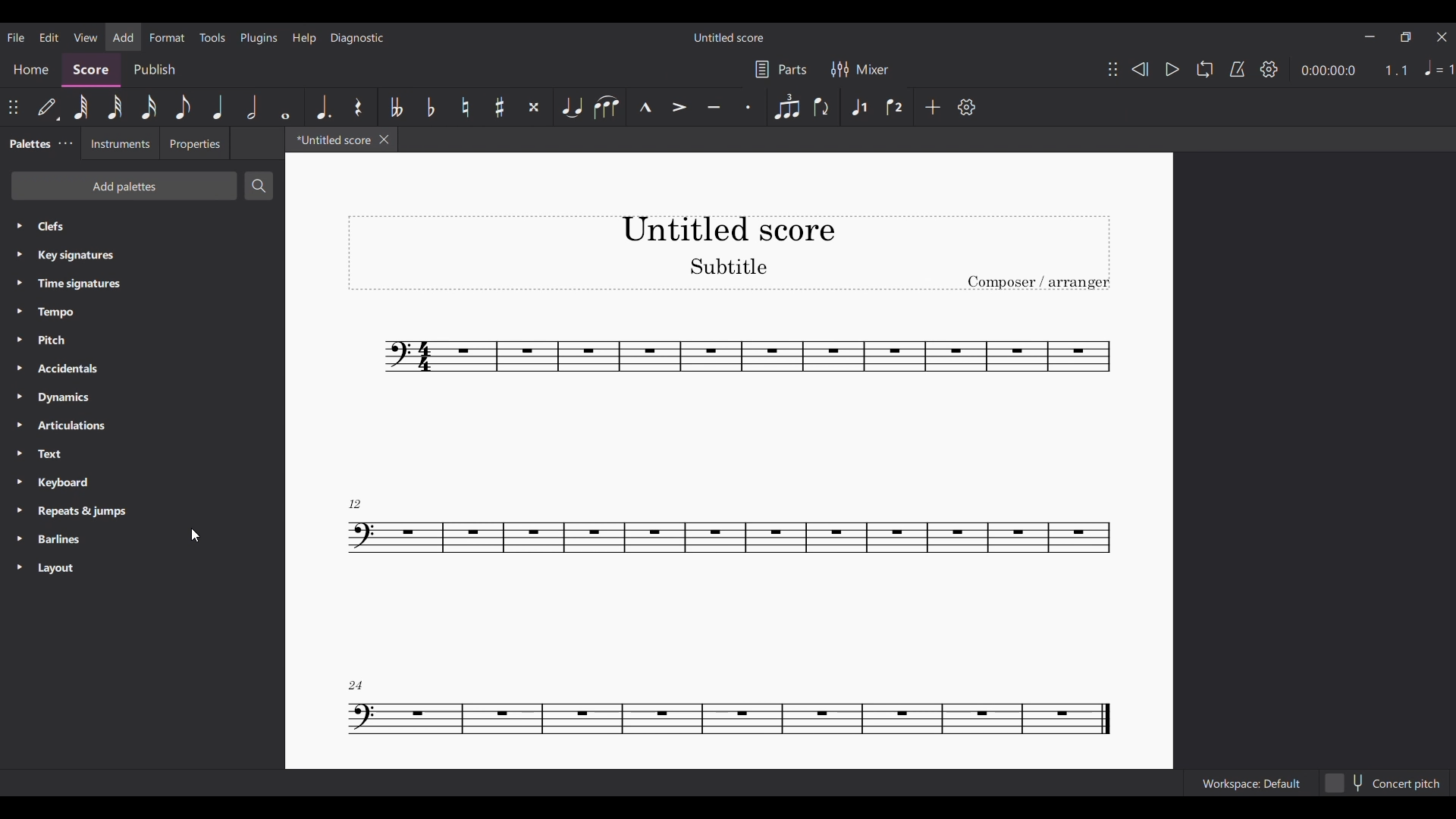  I want to click on 'S, so click(397, 105).